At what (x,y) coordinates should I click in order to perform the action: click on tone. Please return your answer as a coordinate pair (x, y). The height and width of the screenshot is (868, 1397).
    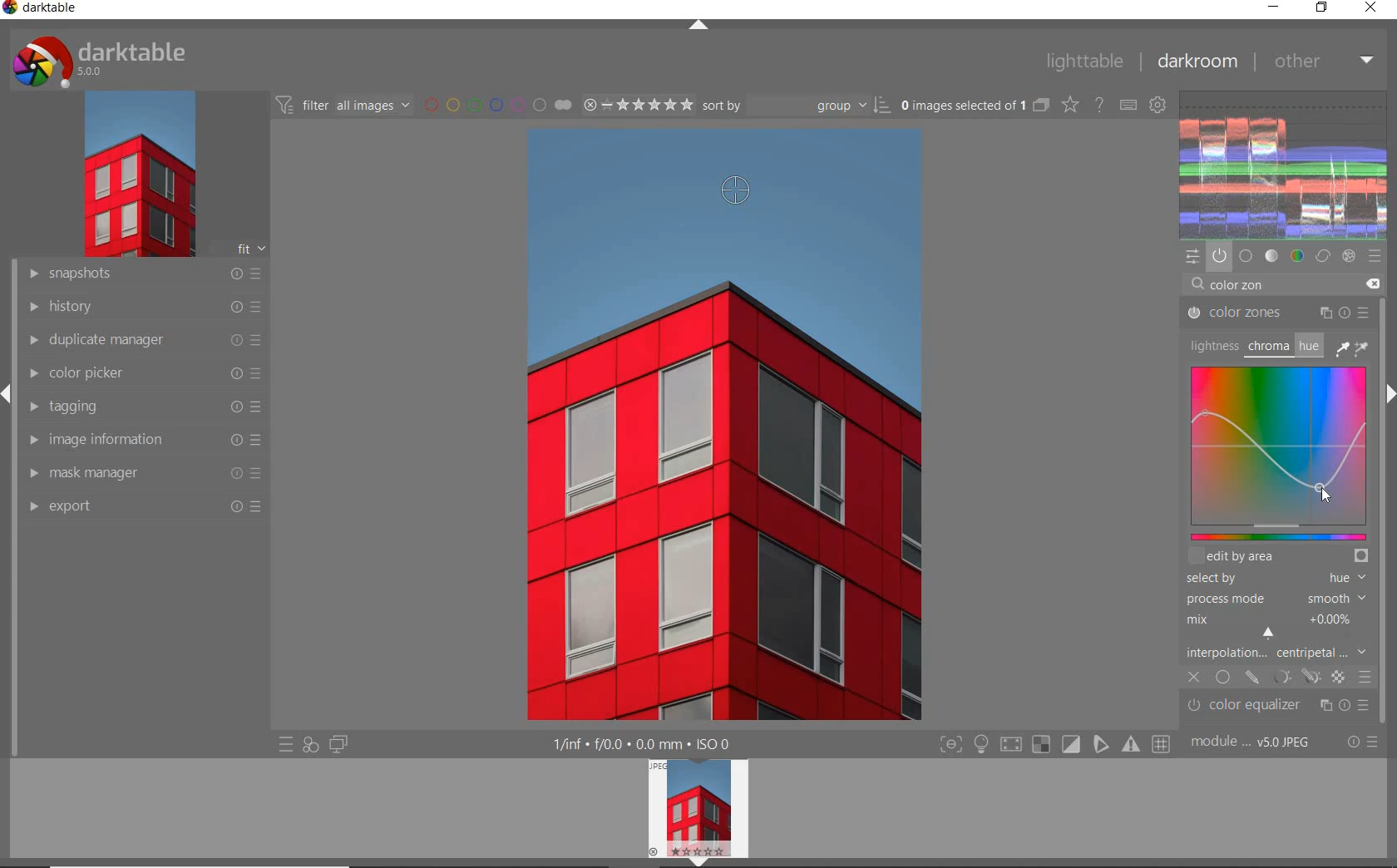
    Looking at the image, I should click on (1272, 255).